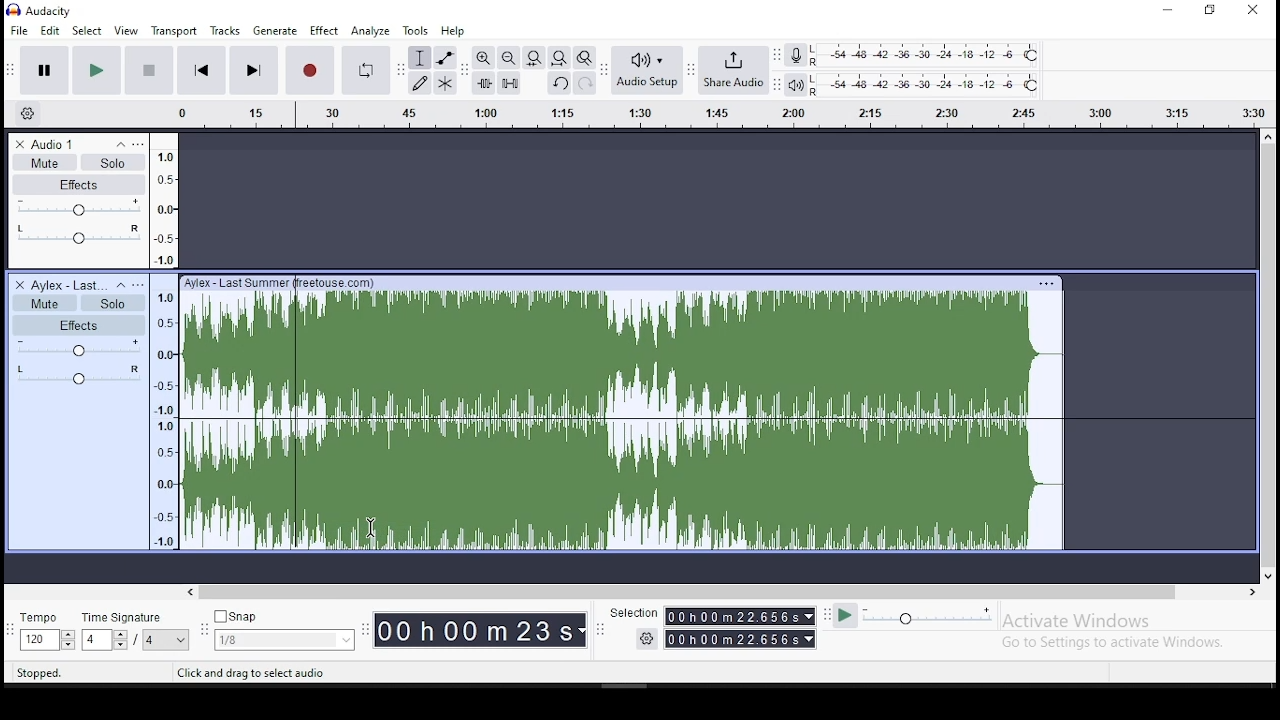  Describe the element at coordinates (818, 78) in the screenshot. I see `L` at that location.